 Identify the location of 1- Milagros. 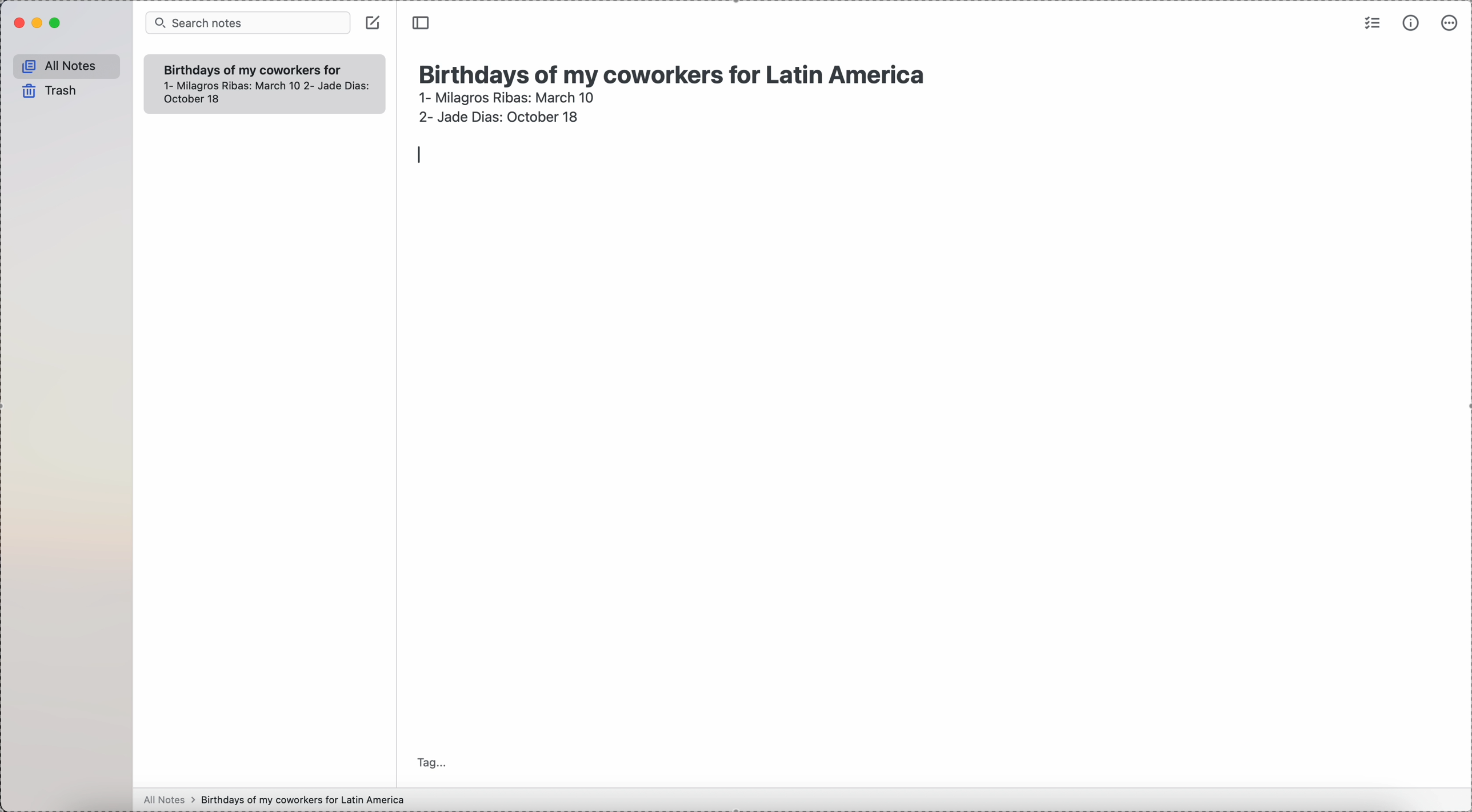
(506, 97).